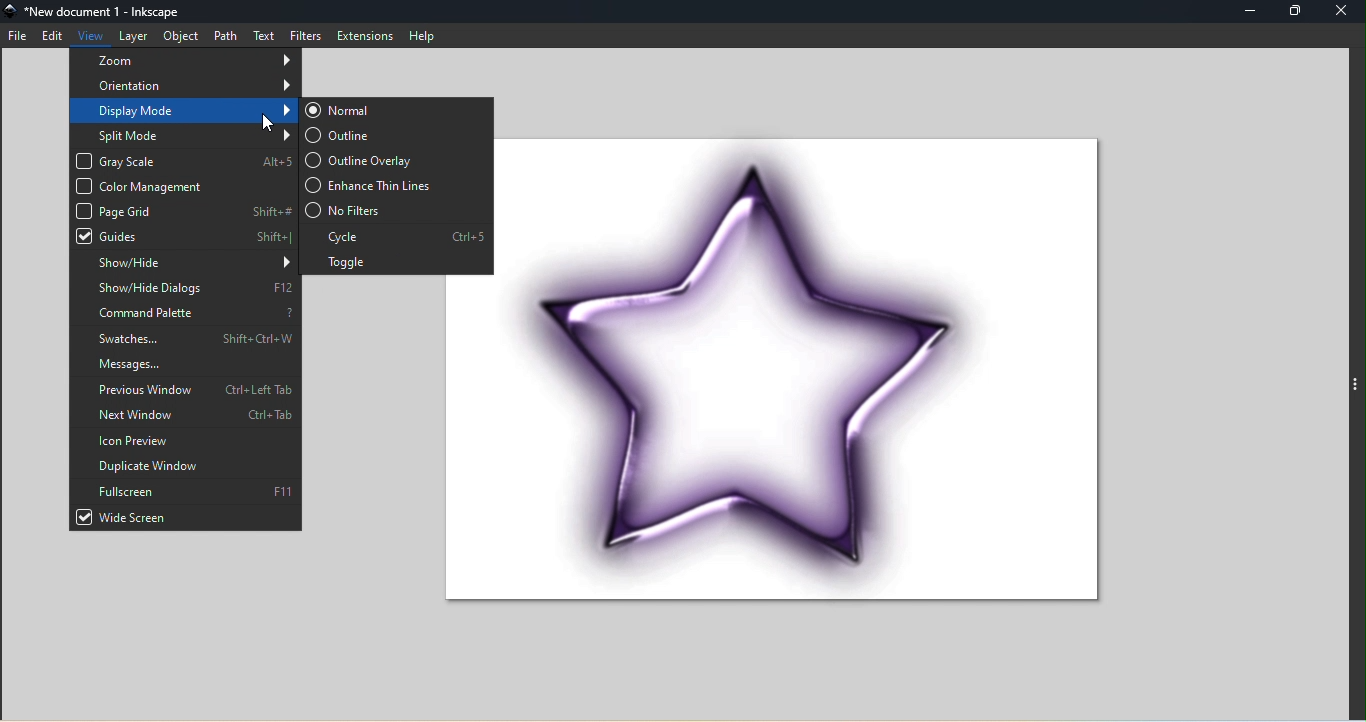  What do you see at coordinates (187, 415) in the screenshot?
I see `Next window` at bounding box center [187, 415].